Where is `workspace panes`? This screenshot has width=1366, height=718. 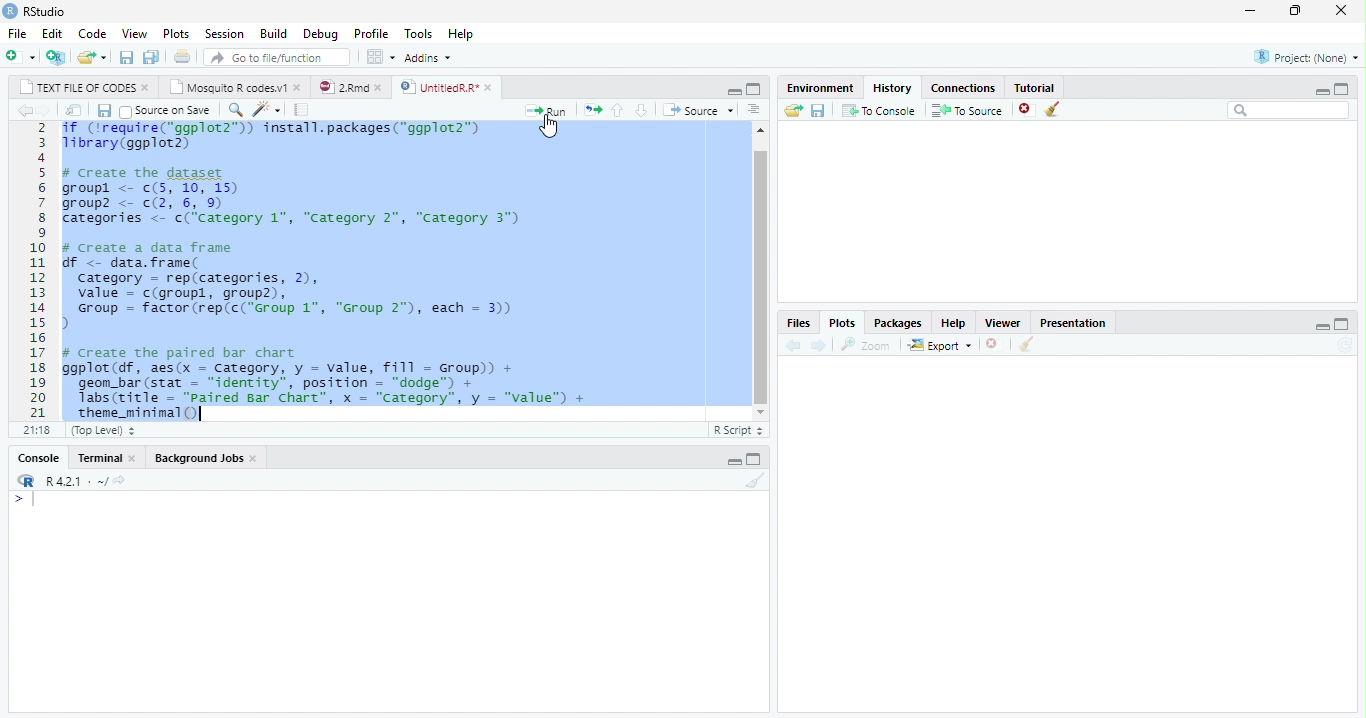 workspace panes is located at coordinates (378, 58).